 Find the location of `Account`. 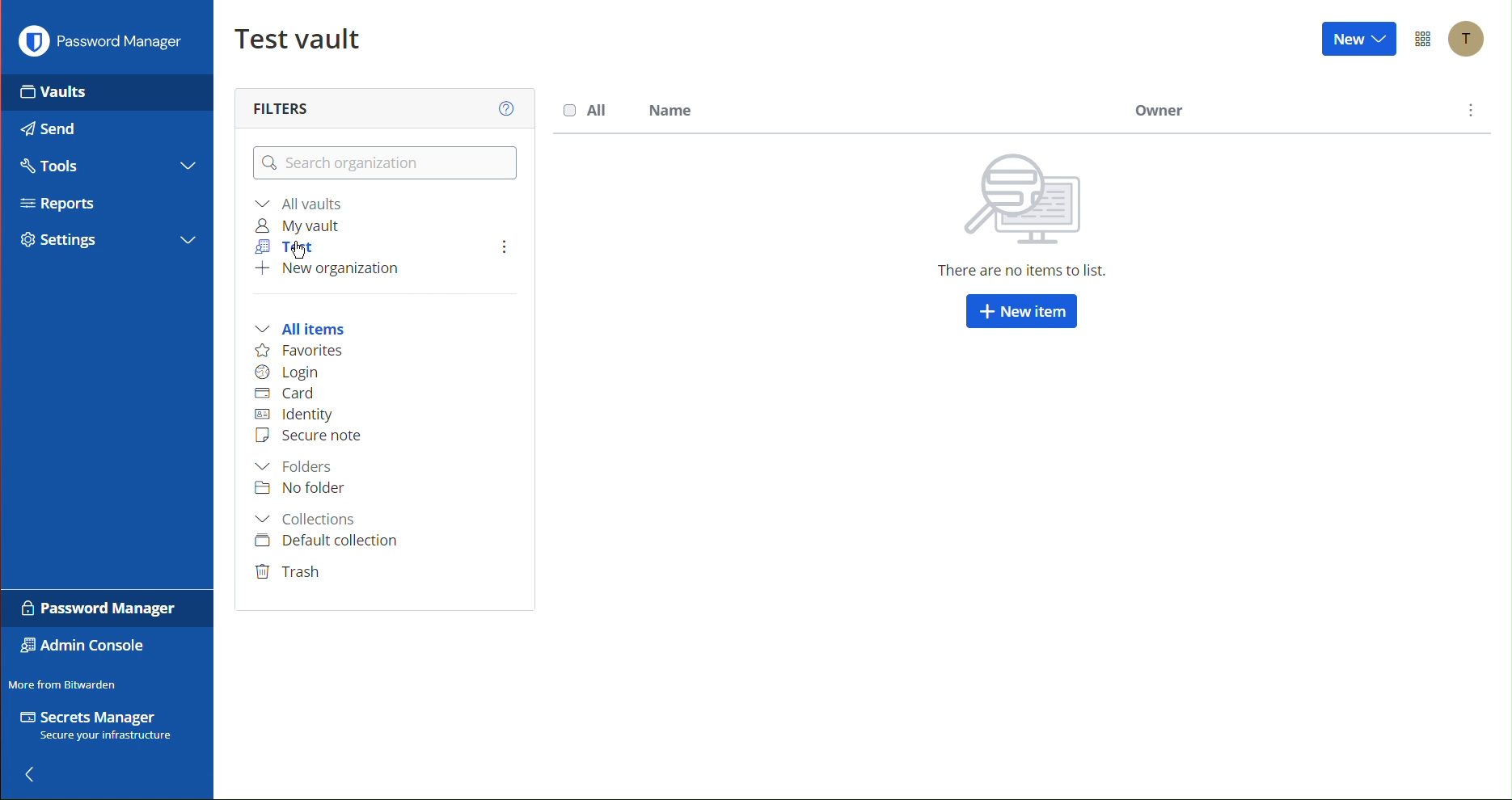

Account is located at coordinates (1470, 38).